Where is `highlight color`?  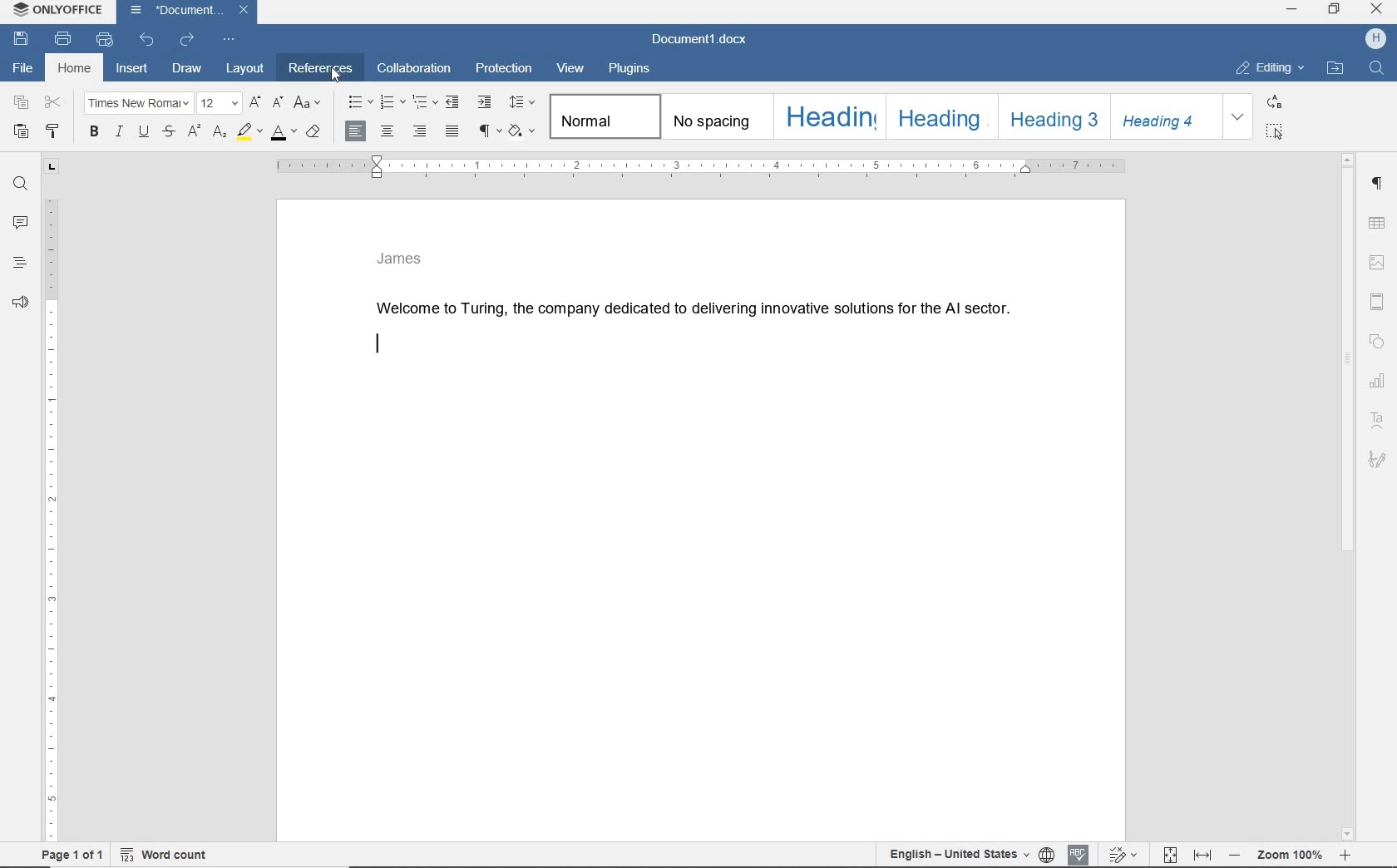 highlight color is located at coordinates (251, 131).